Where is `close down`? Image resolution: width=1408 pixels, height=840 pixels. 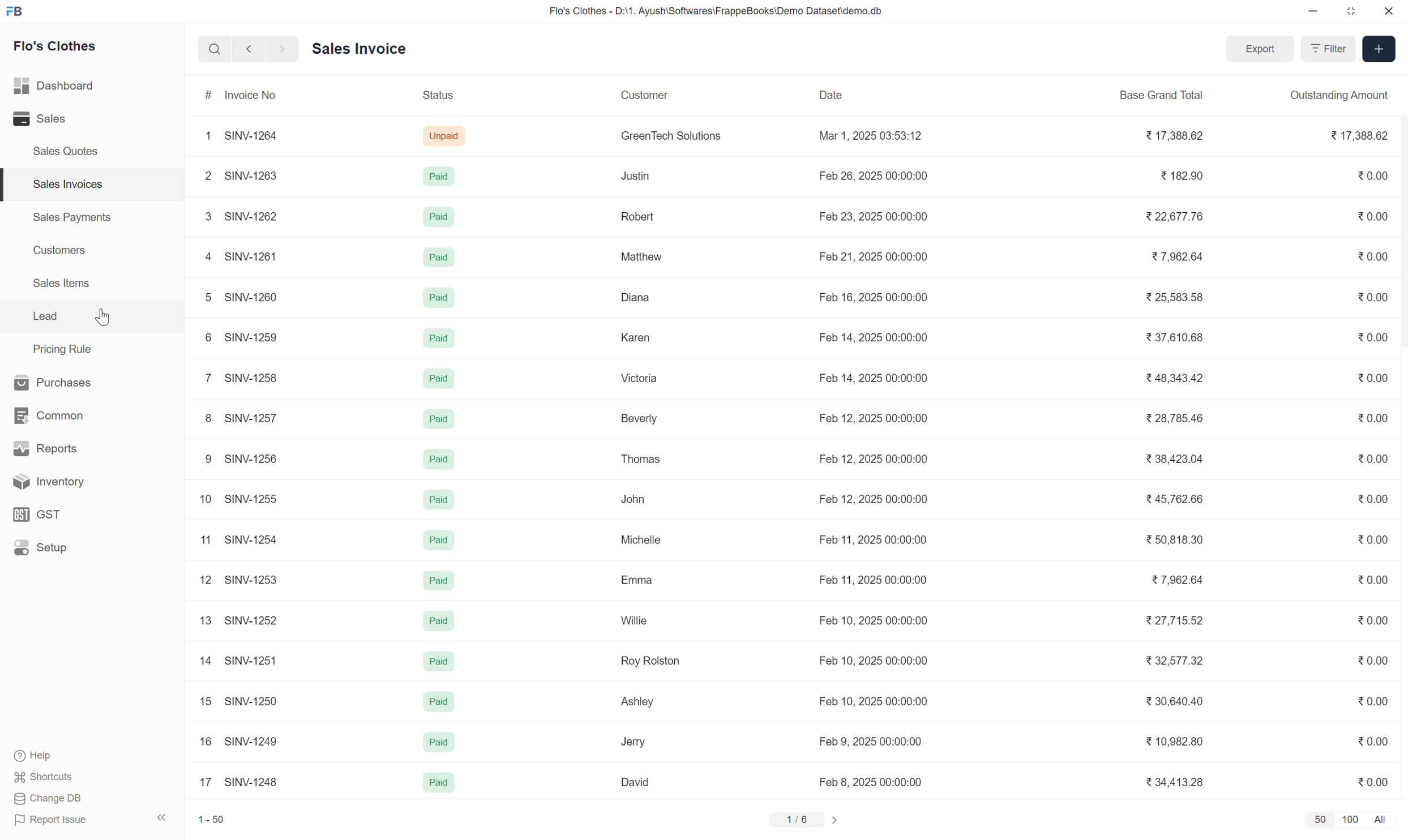 close down is located at coordinates (1352, 10).